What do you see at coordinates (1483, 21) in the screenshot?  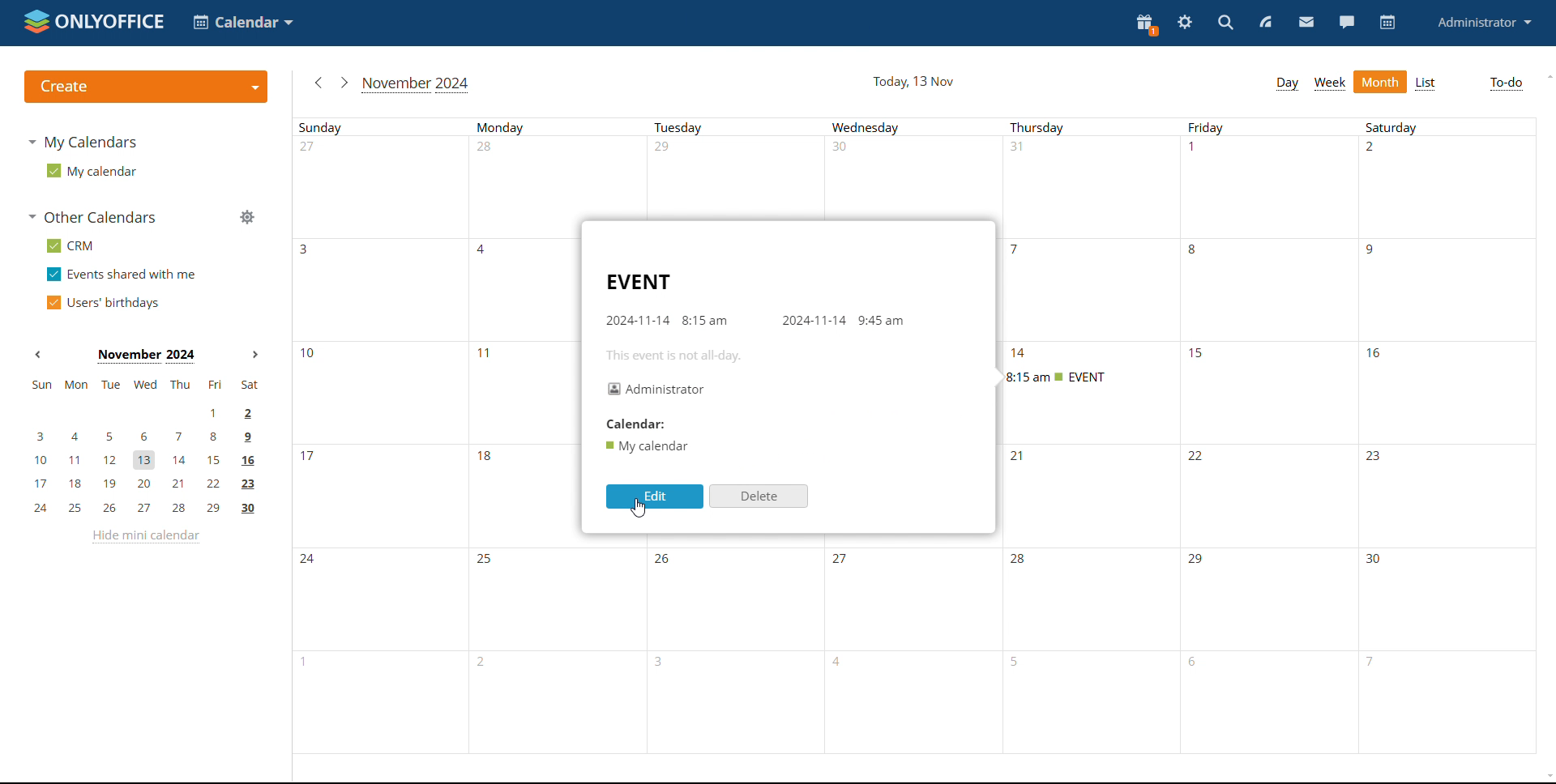 I see `administrator` at bounding box center [1483, 21].